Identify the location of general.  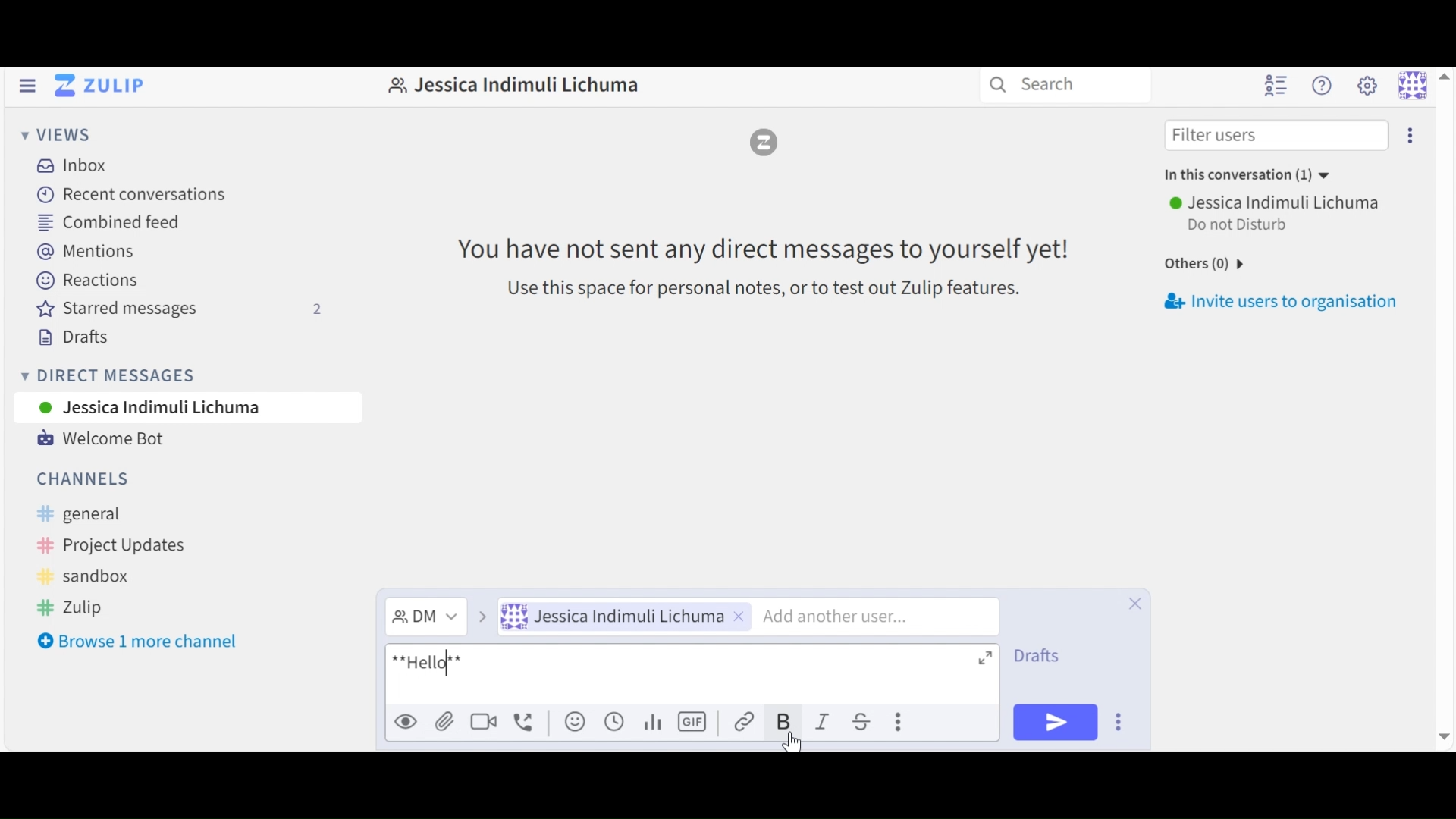
(96, 514).